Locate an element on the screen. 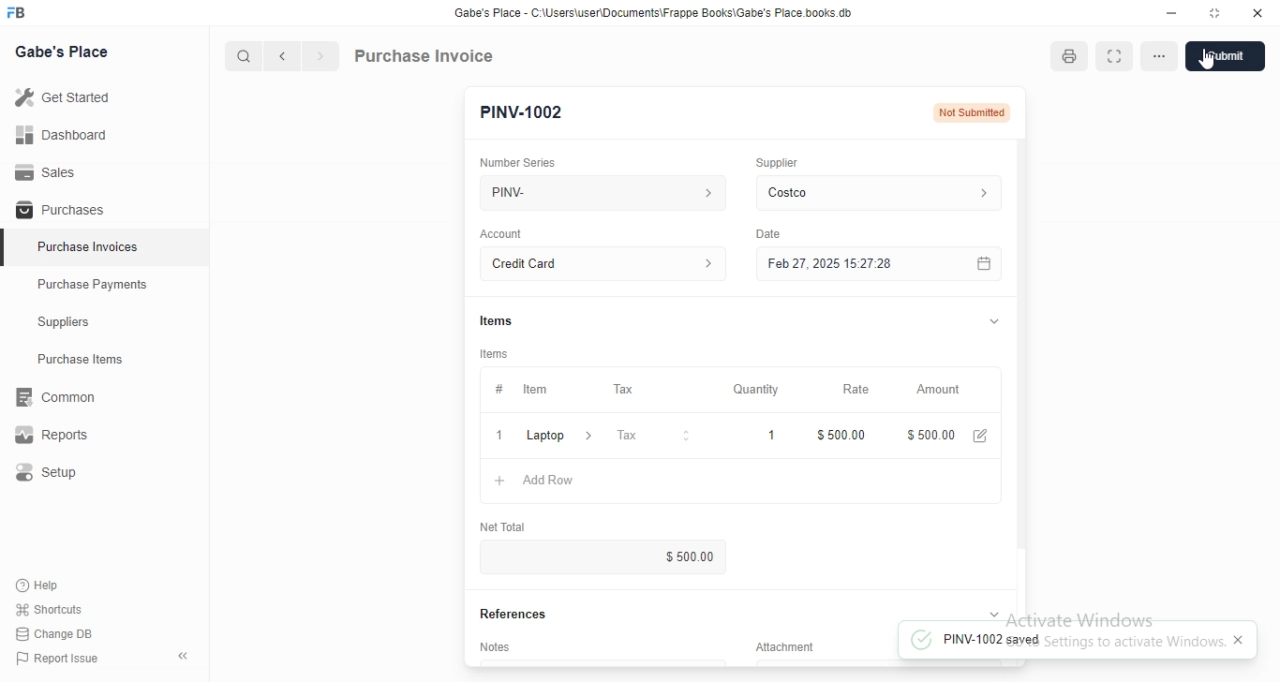 The width and height of the screenshot is (1280, 682). Search is located at coordinates (243, 56).